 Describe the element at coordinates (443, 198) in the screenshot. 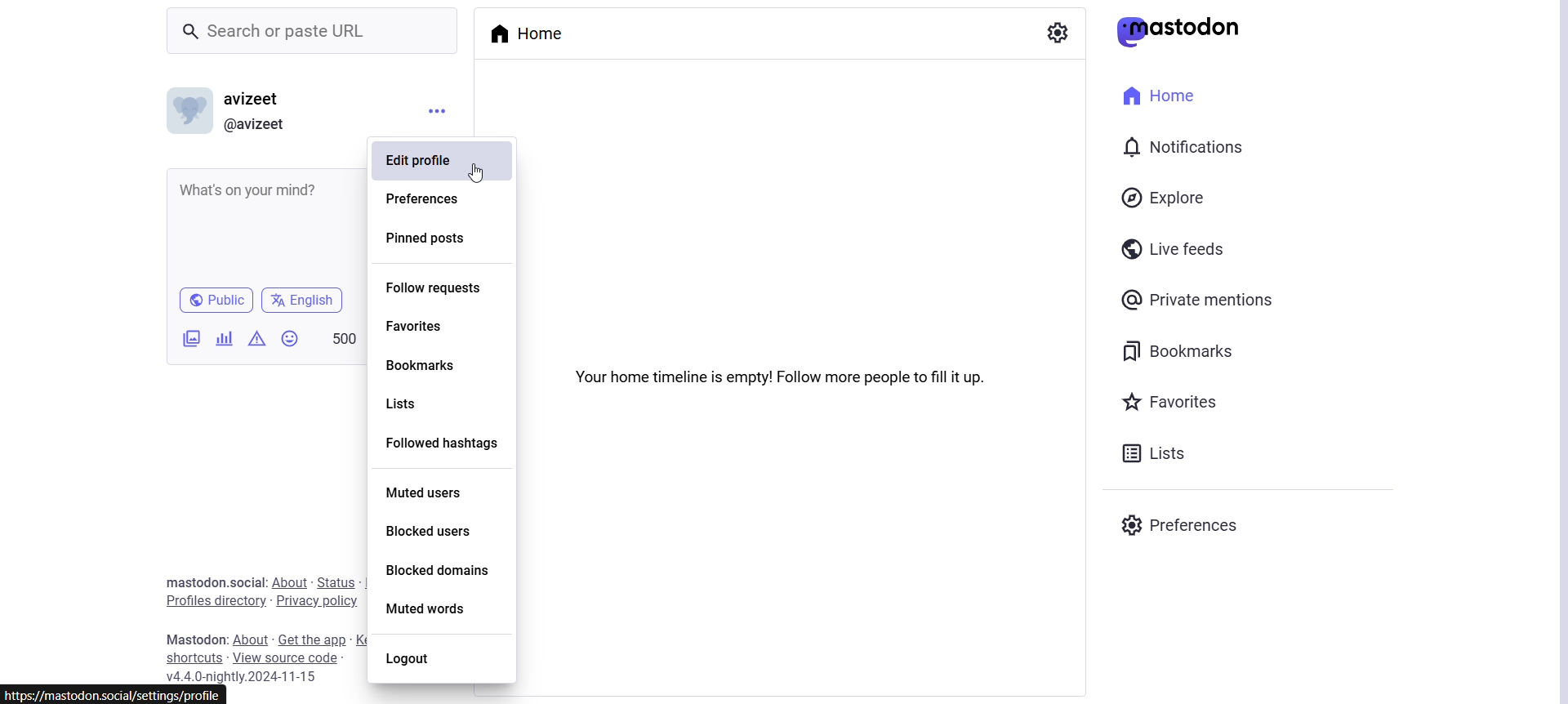

I see `Preferences` at that location.